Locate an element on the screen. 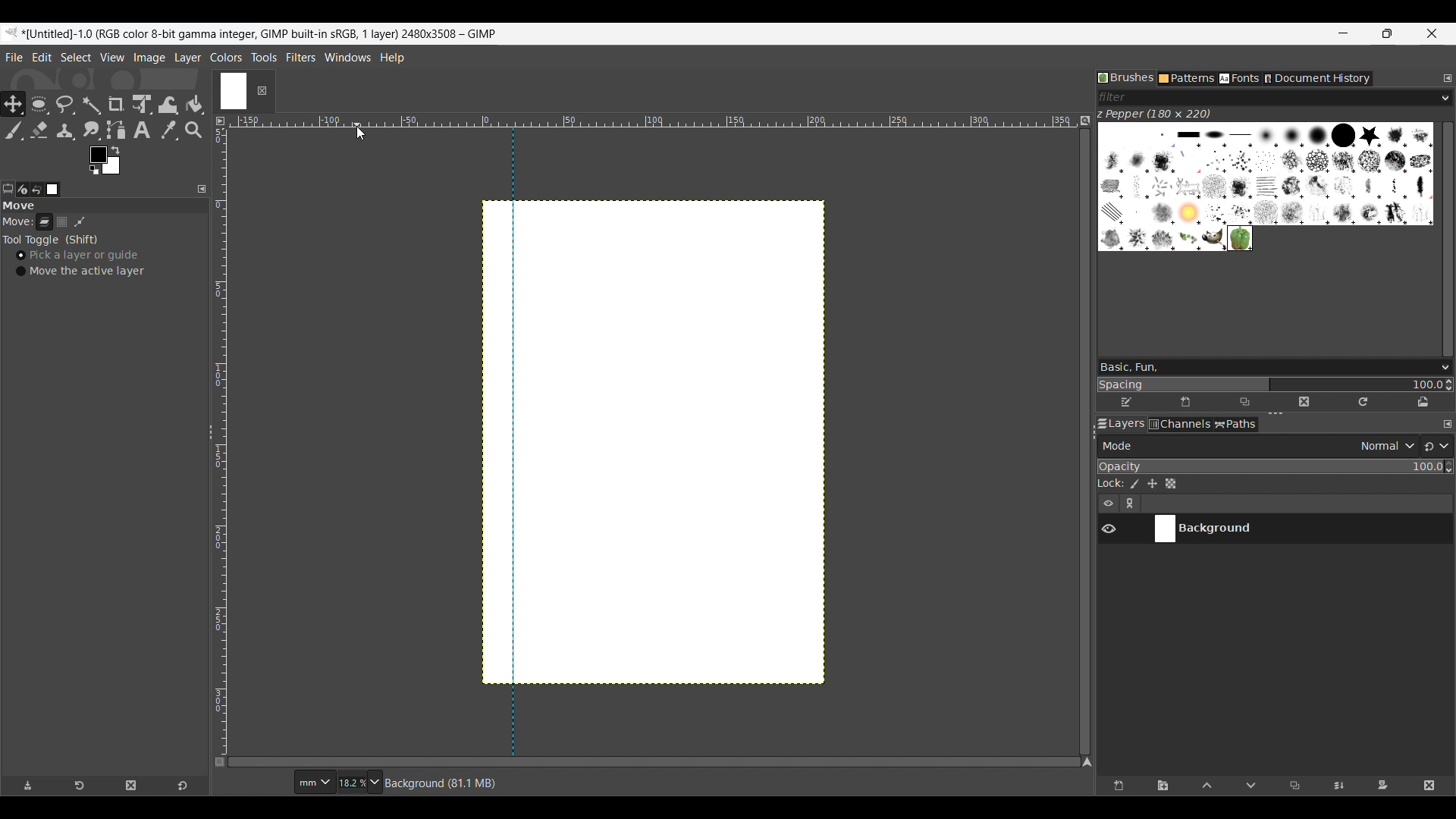 This screenshot has width=1456, height=819. Access the image menu is located at coordinates (220, 121).